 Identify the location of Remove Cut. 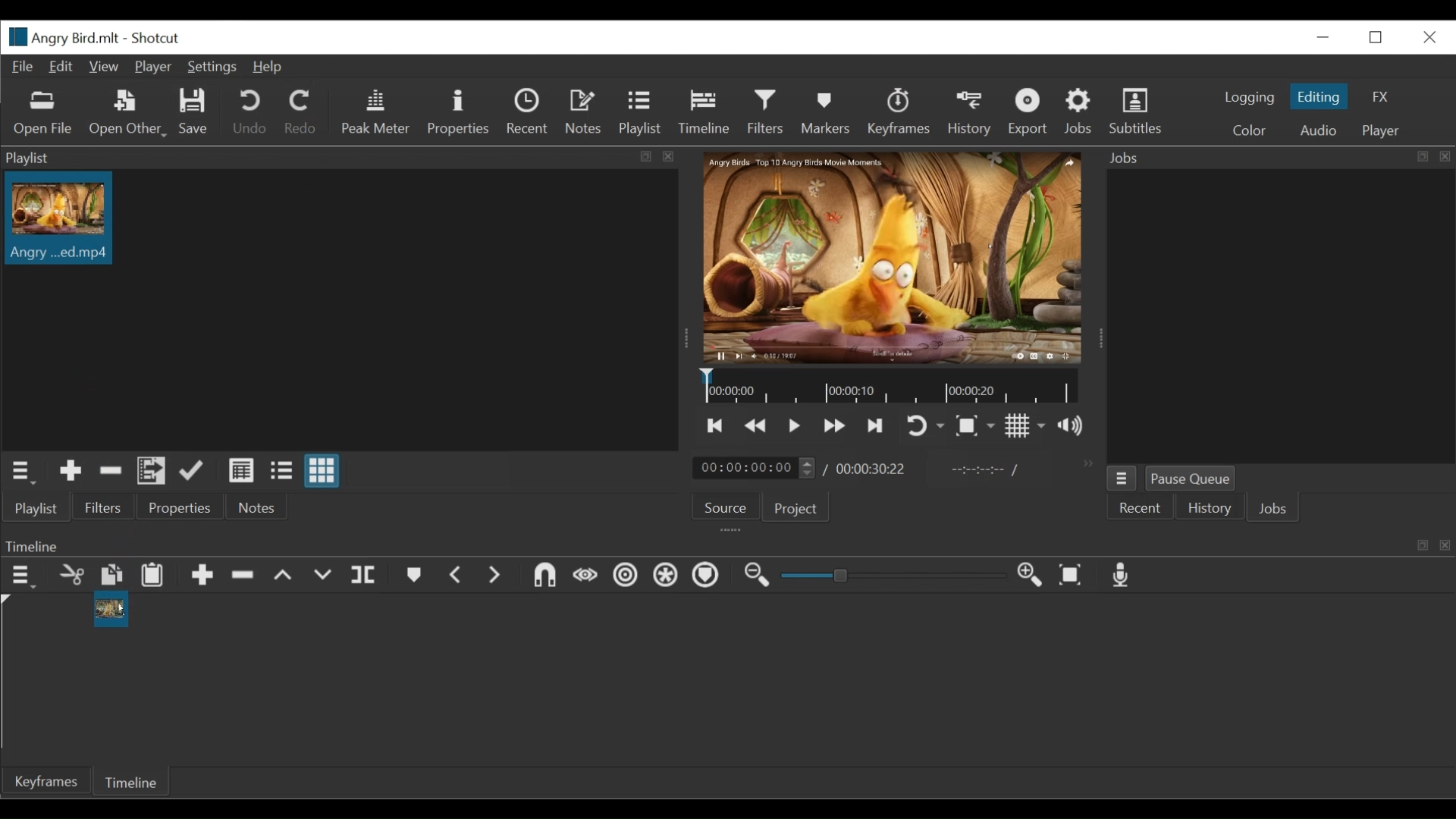
(111, 470).